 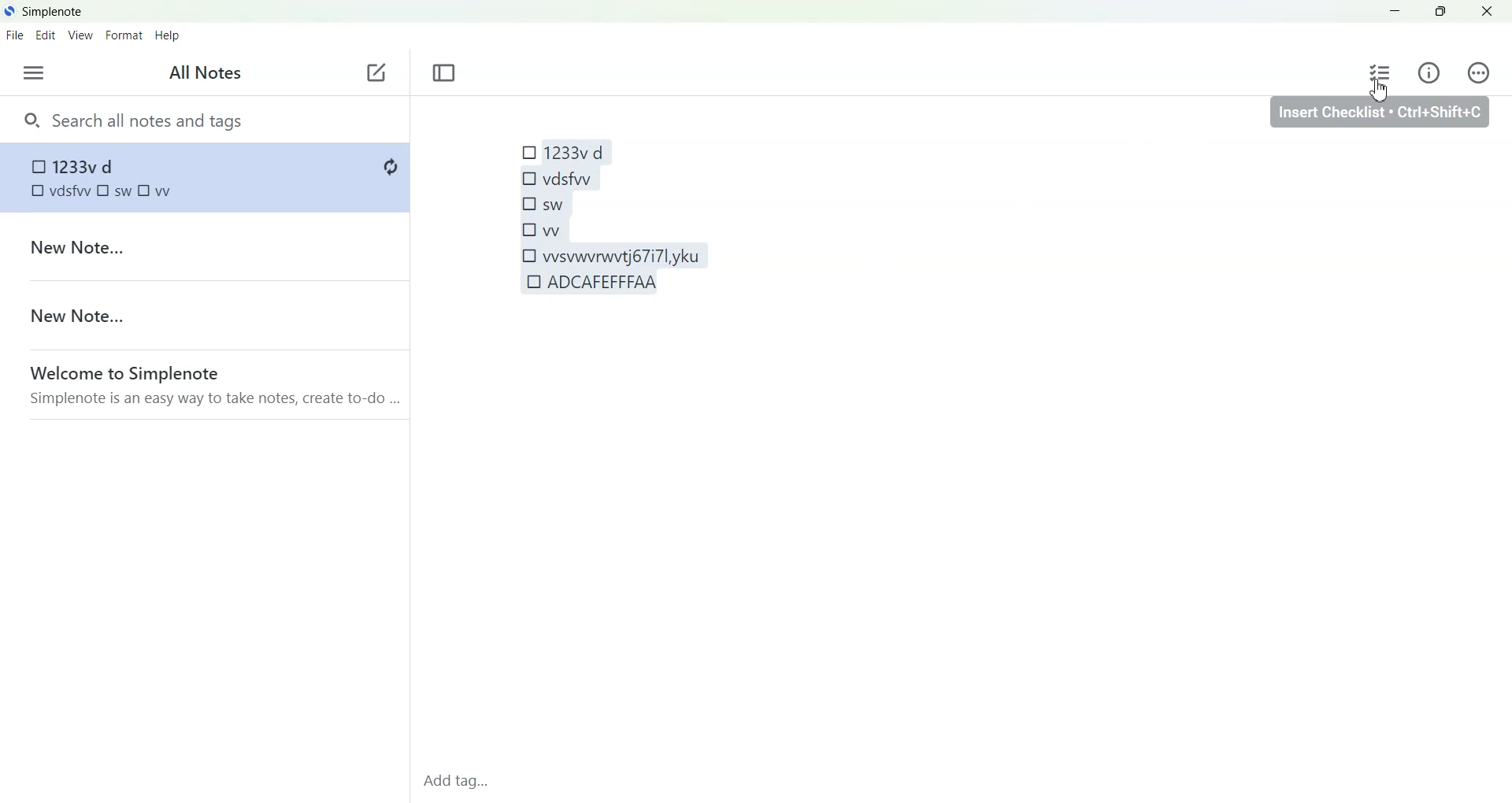 I want to click on Minimize, so click(x=1395, y=13).